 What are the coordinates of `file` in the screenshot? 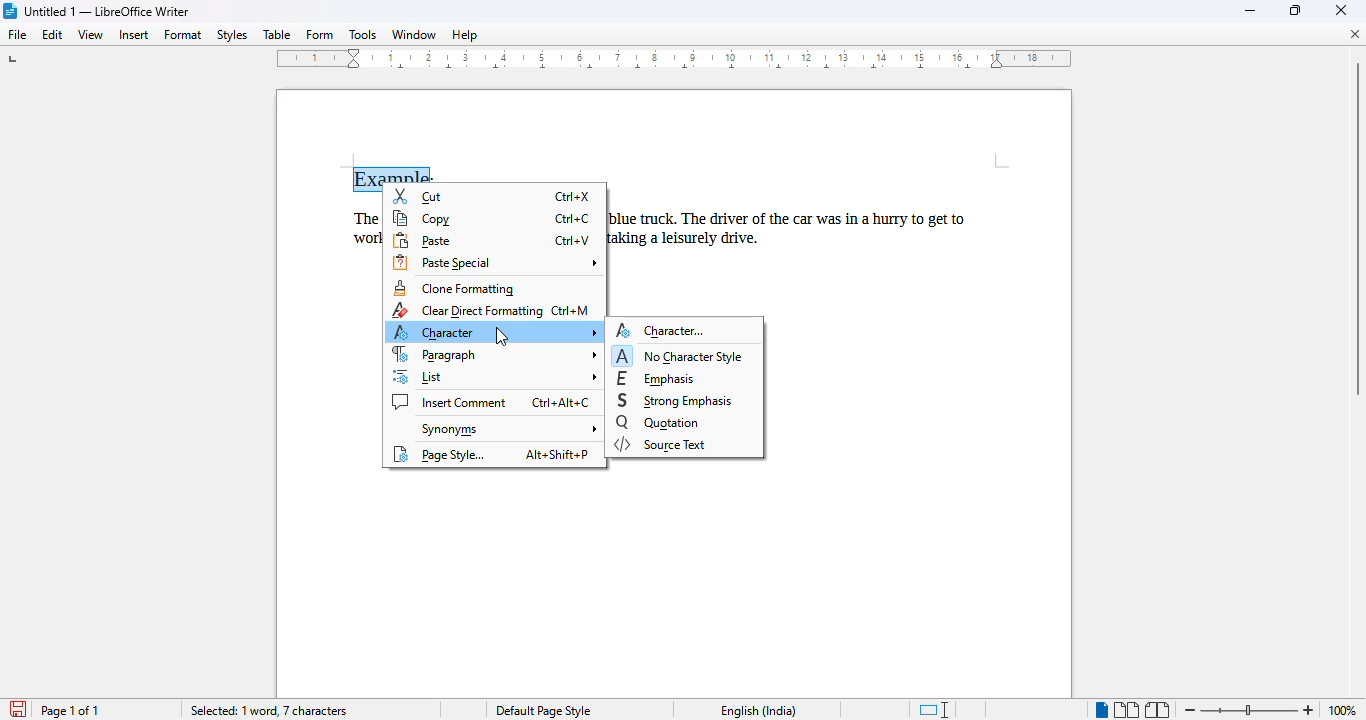 It's located at (18, 35).